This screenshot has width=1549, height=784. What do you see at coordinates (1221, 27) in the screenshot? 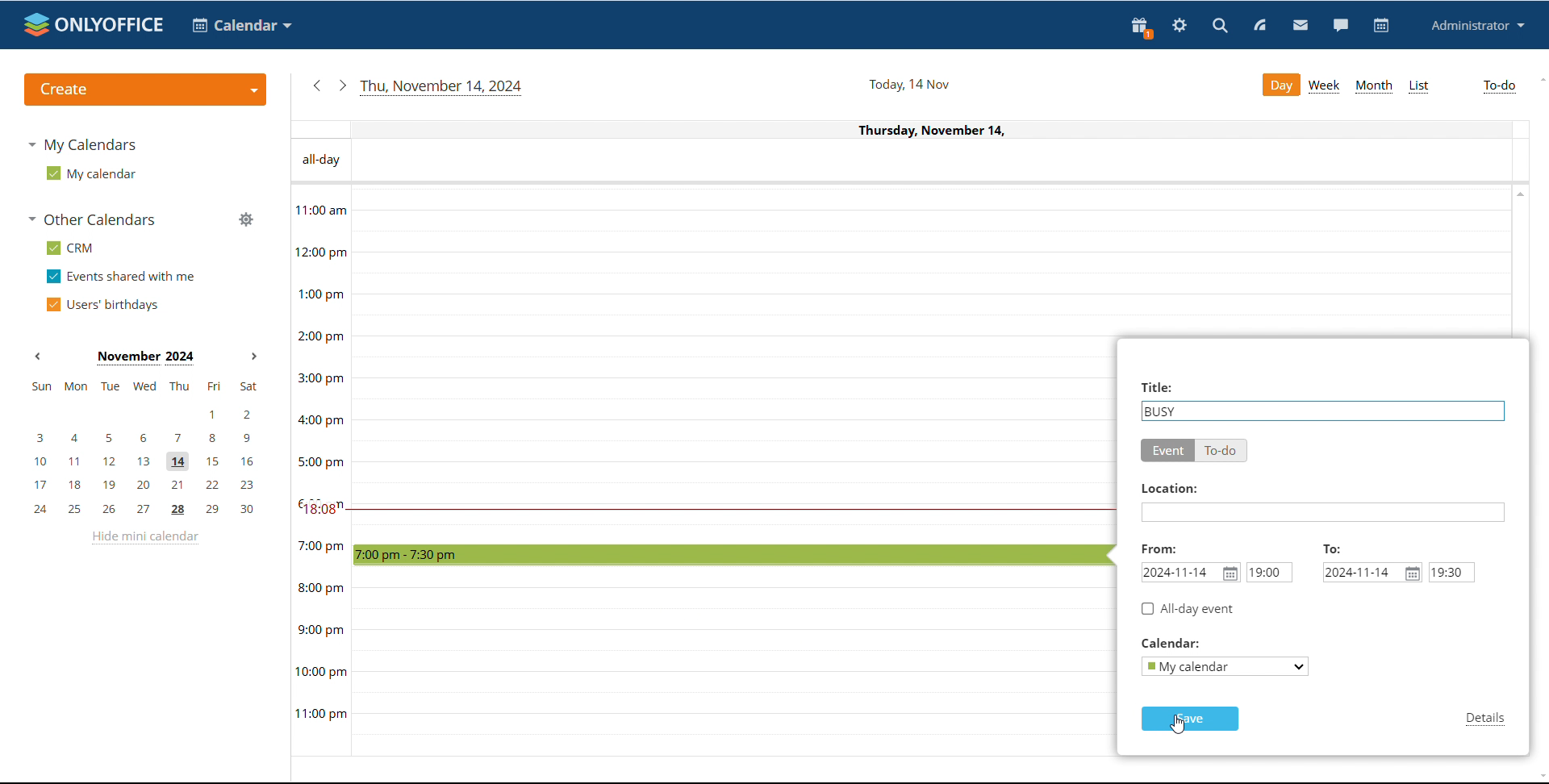
I see `search` at bounding box center [1221, 27].